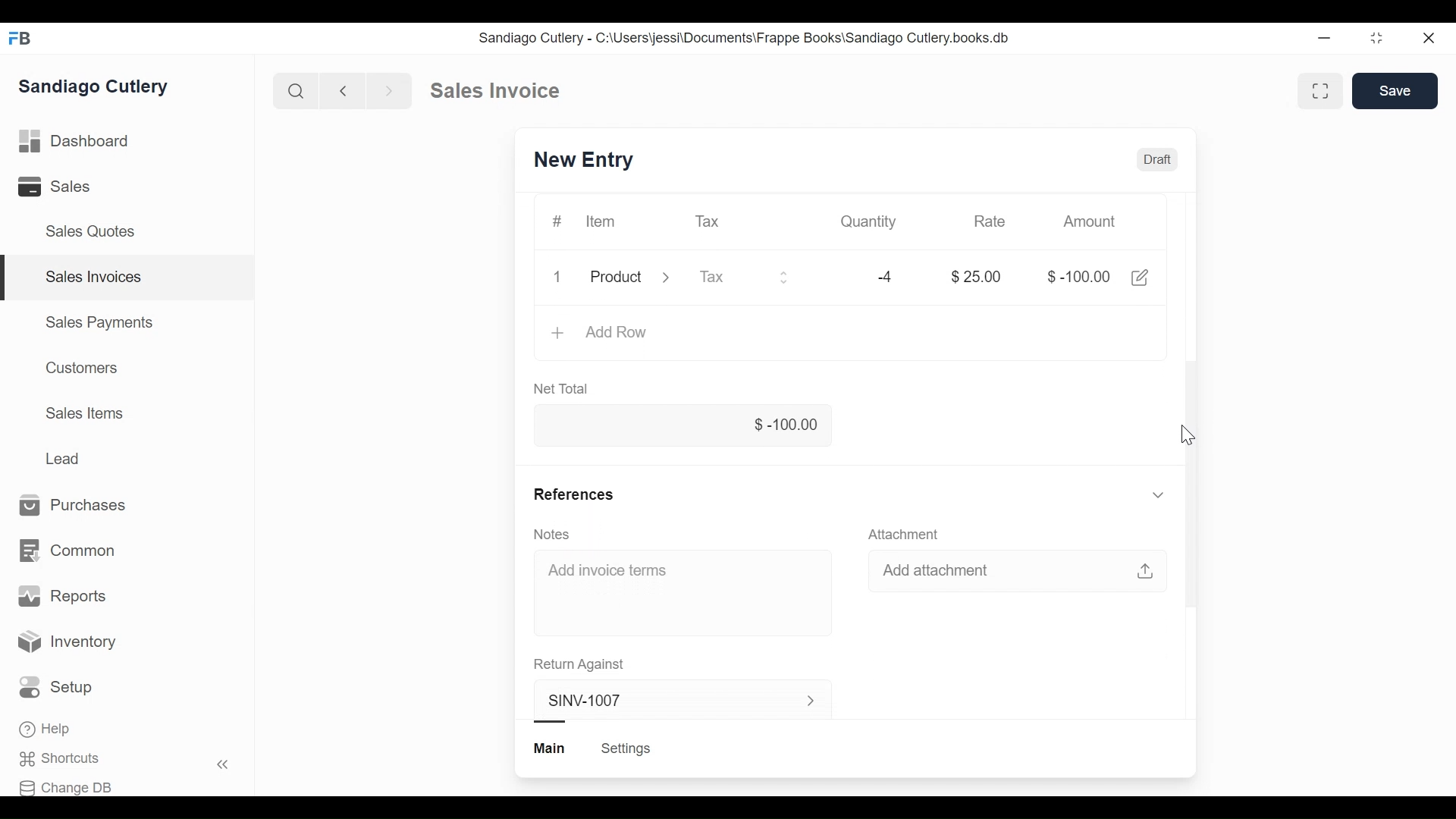 The height and width of the screenshot is (819, 1456). What do you see at coordinates (1077, 276) in the screenshot?
I see `$-100.00` at bounding box center [1077, 276].